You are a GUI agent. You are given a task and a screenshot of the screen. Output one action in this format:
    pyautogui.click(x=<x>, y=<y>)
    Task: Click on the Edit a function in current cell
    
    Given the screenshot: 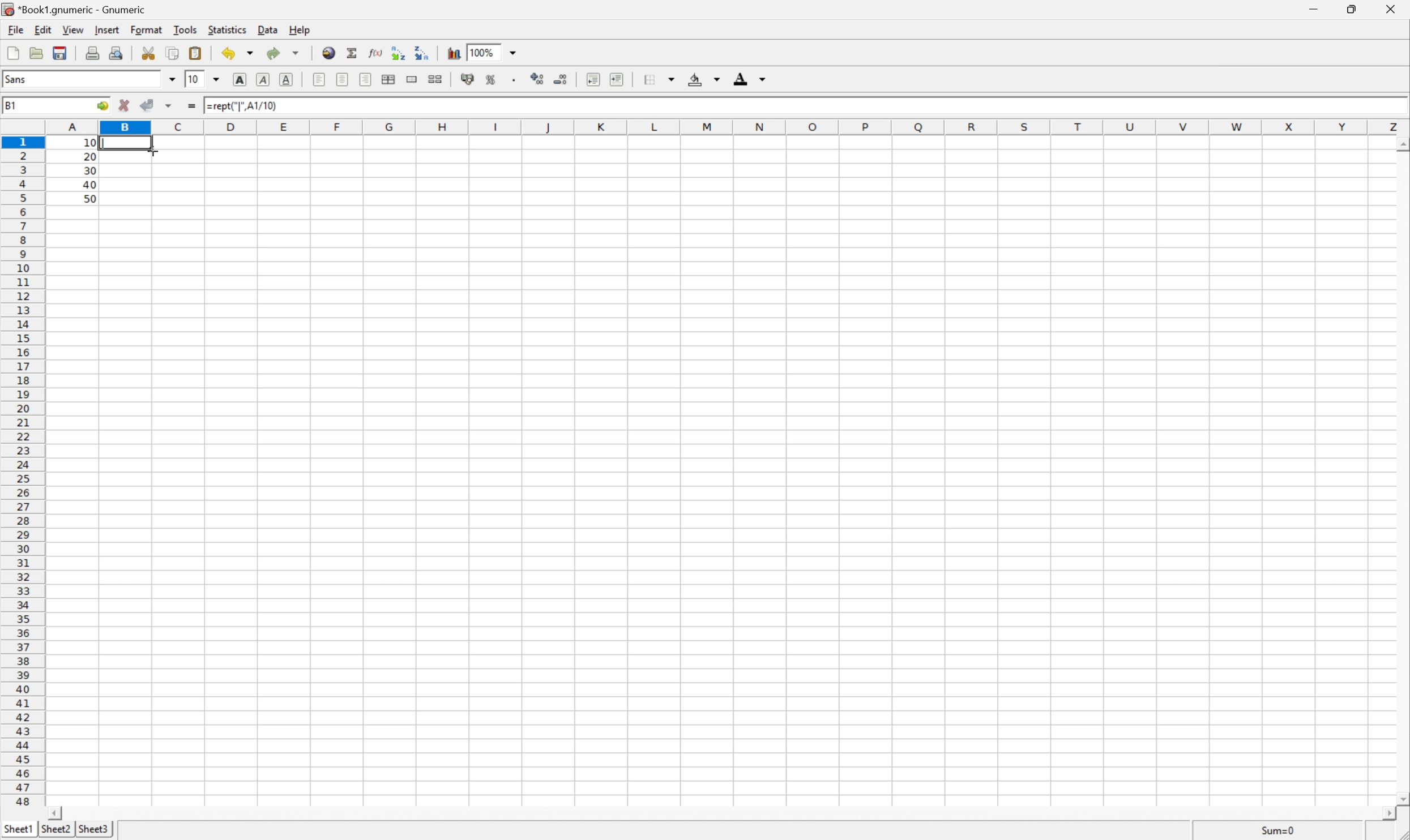 What is the action you would take?
    pyautogui.click(x=378, y=52)
    